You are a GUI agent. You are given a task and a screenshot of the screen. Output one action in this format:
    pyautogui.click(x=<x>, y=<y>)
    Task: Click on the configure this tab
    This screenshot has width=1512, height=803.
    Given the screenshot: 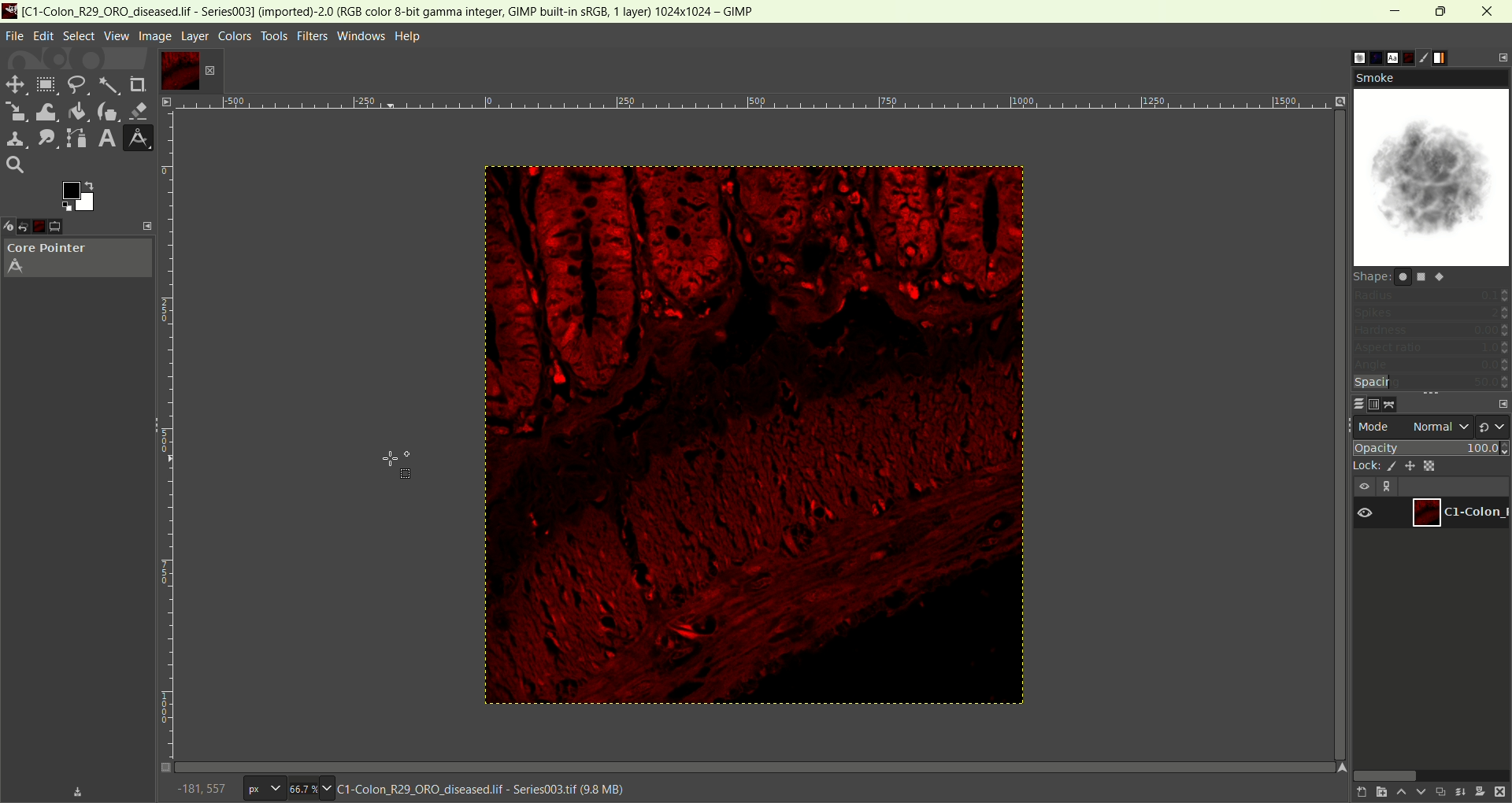 What is the action you would take?
    pyautogui.click(x=1503, y=405)
    